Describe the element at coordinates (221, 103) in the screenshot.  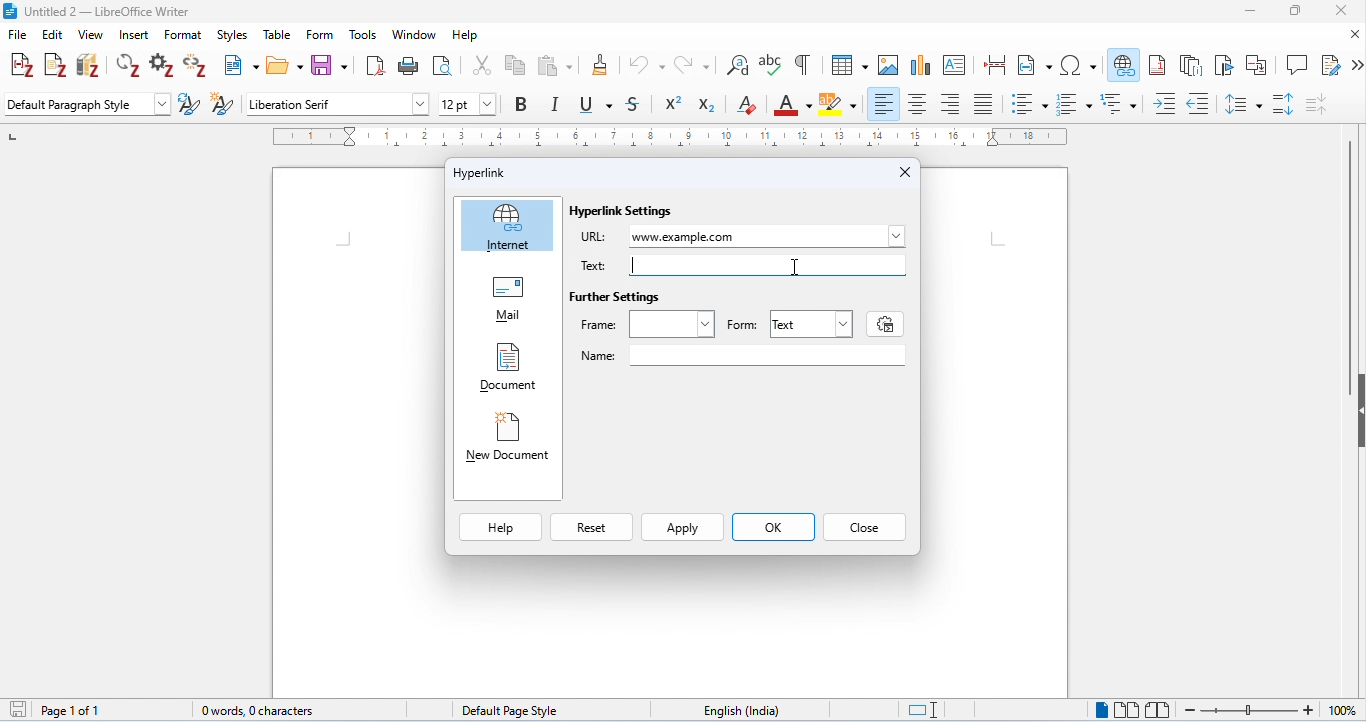
I see `new style from selection` at that location.